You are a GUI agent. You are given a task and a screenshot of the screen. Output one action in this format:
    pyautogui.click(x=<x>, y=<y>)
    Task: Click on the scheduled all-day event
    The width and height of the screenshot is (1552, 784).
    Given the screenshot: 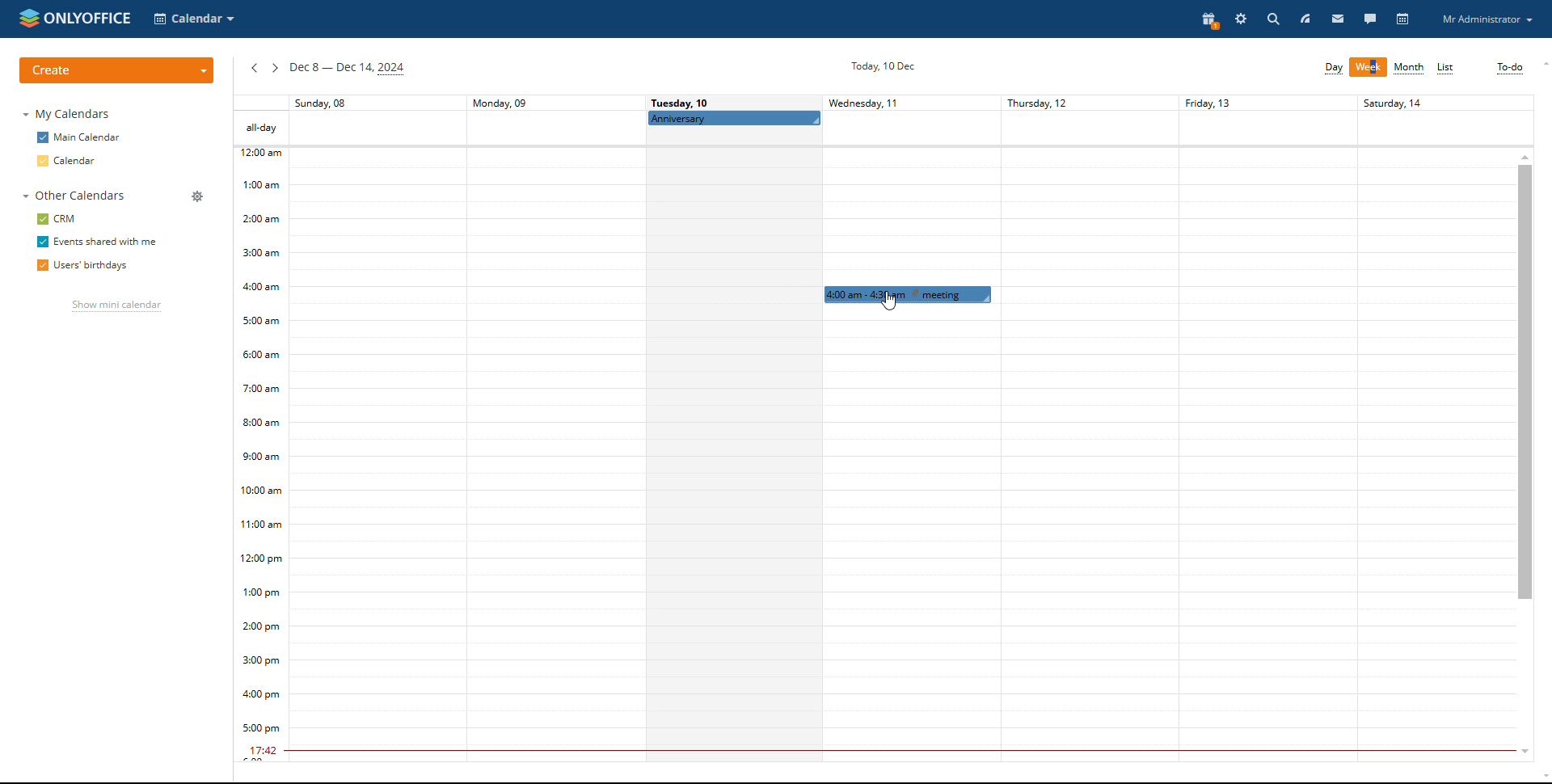 What is the action you would take?
    pyautogui.click(x=735, y=118)
    